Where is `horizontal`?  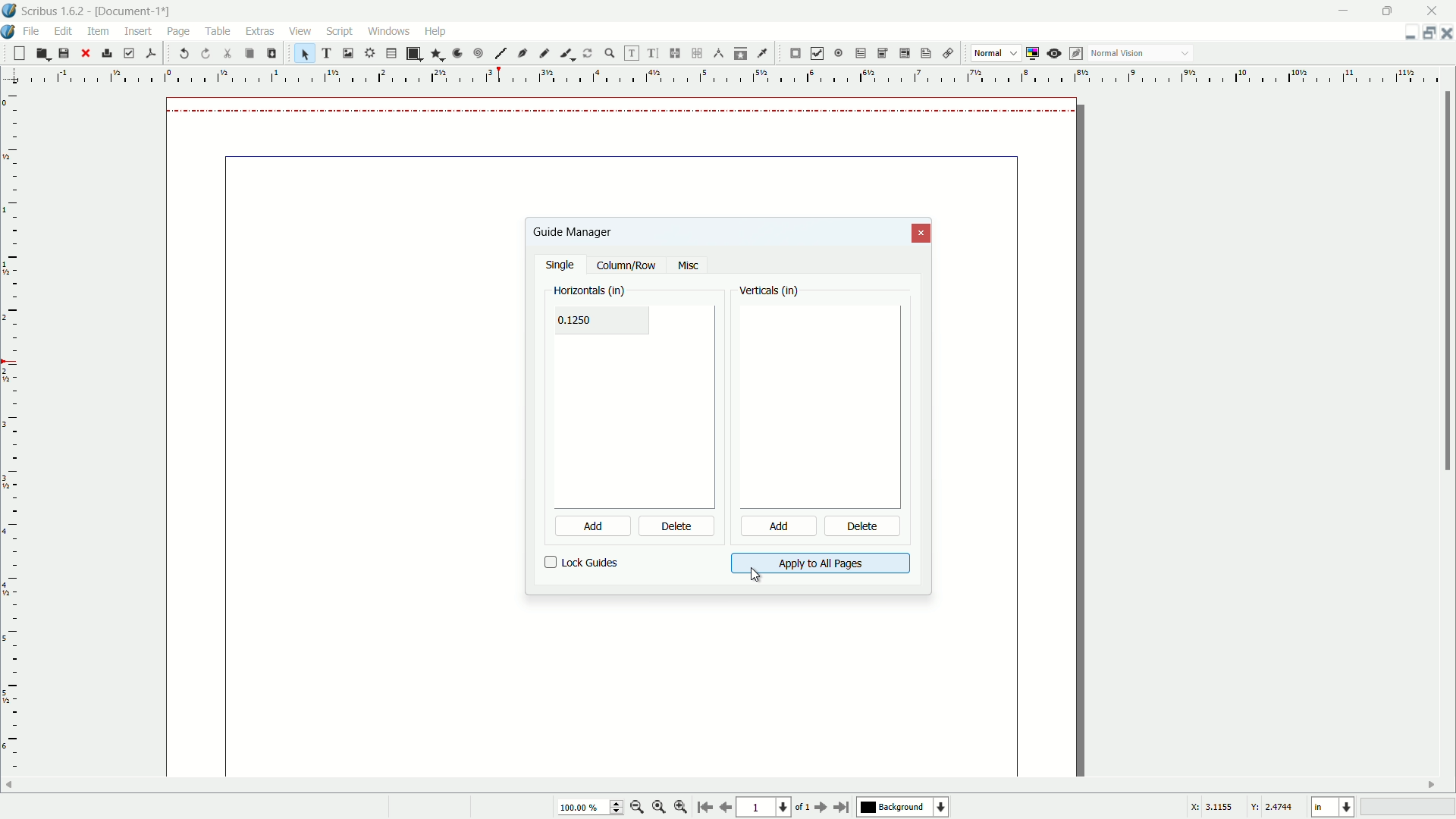
horizontal is located at coordinates (590, 289).